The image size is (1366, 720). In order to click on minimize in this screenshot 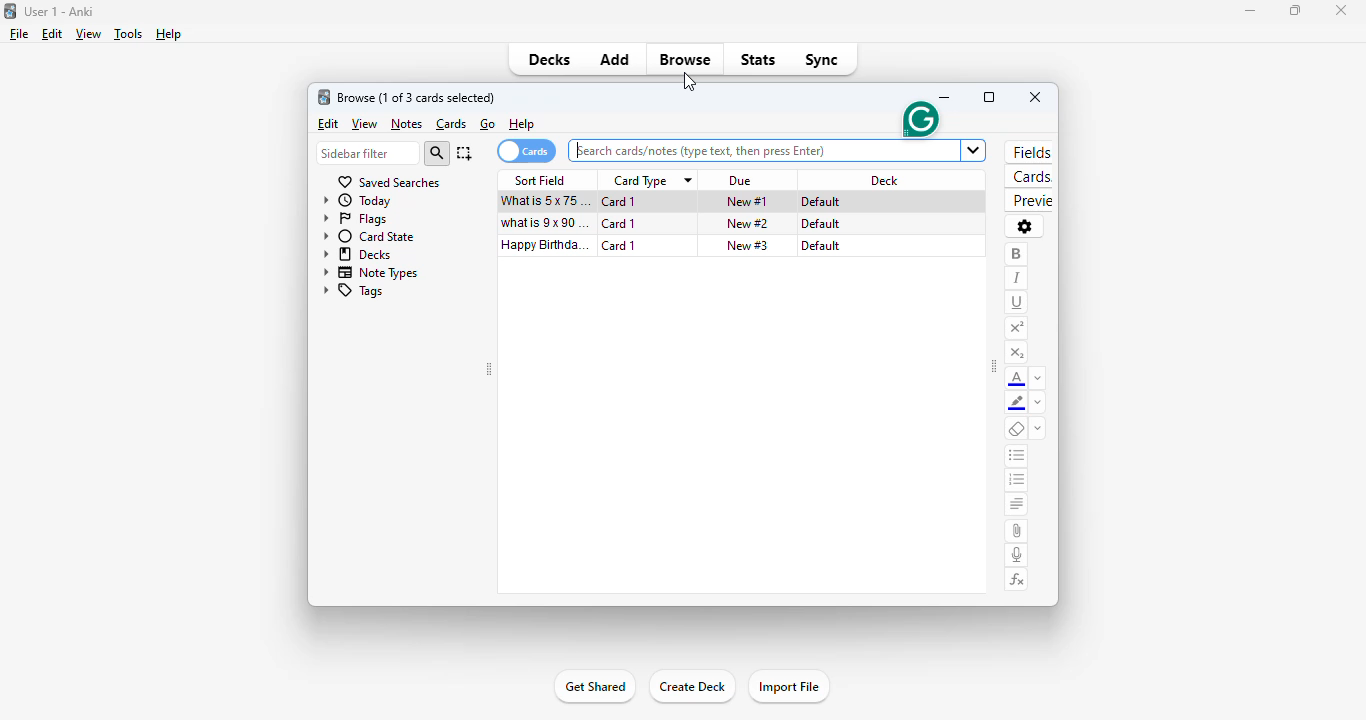, I will do `click(947, 98)`.